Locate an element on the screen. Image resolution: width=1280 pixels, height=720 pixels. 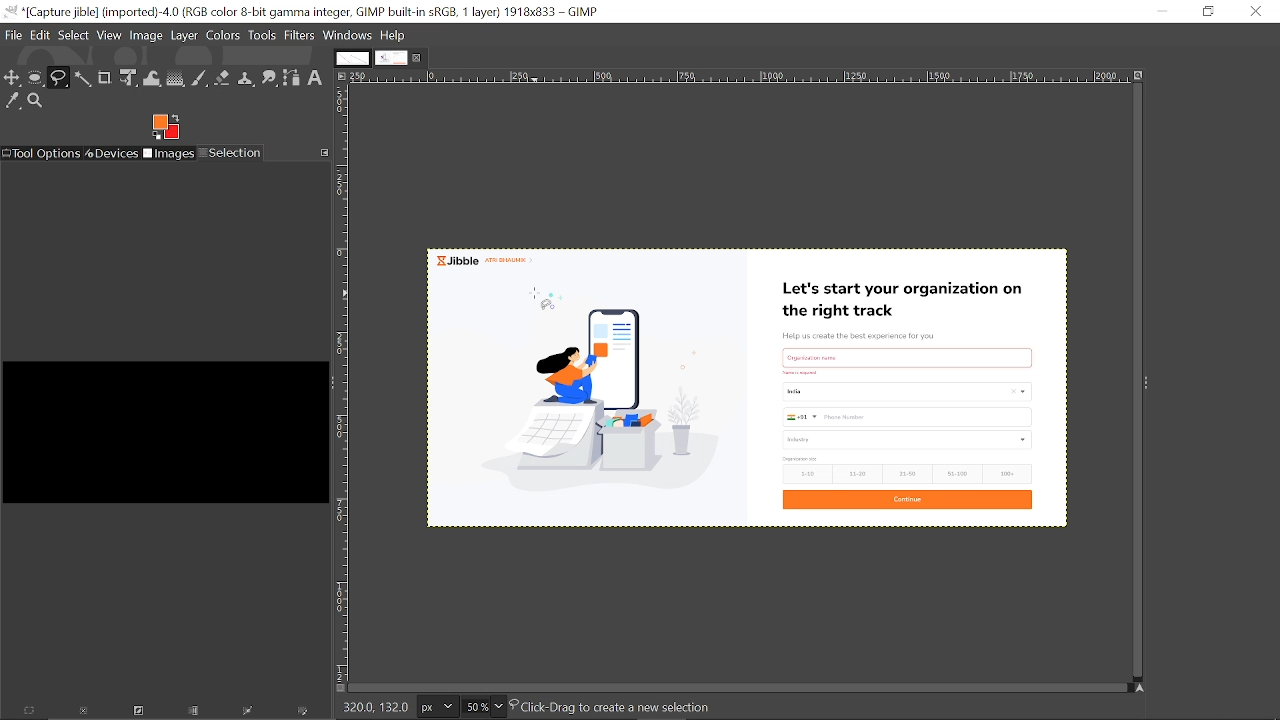
Edit is located at coordinates (42, 33).